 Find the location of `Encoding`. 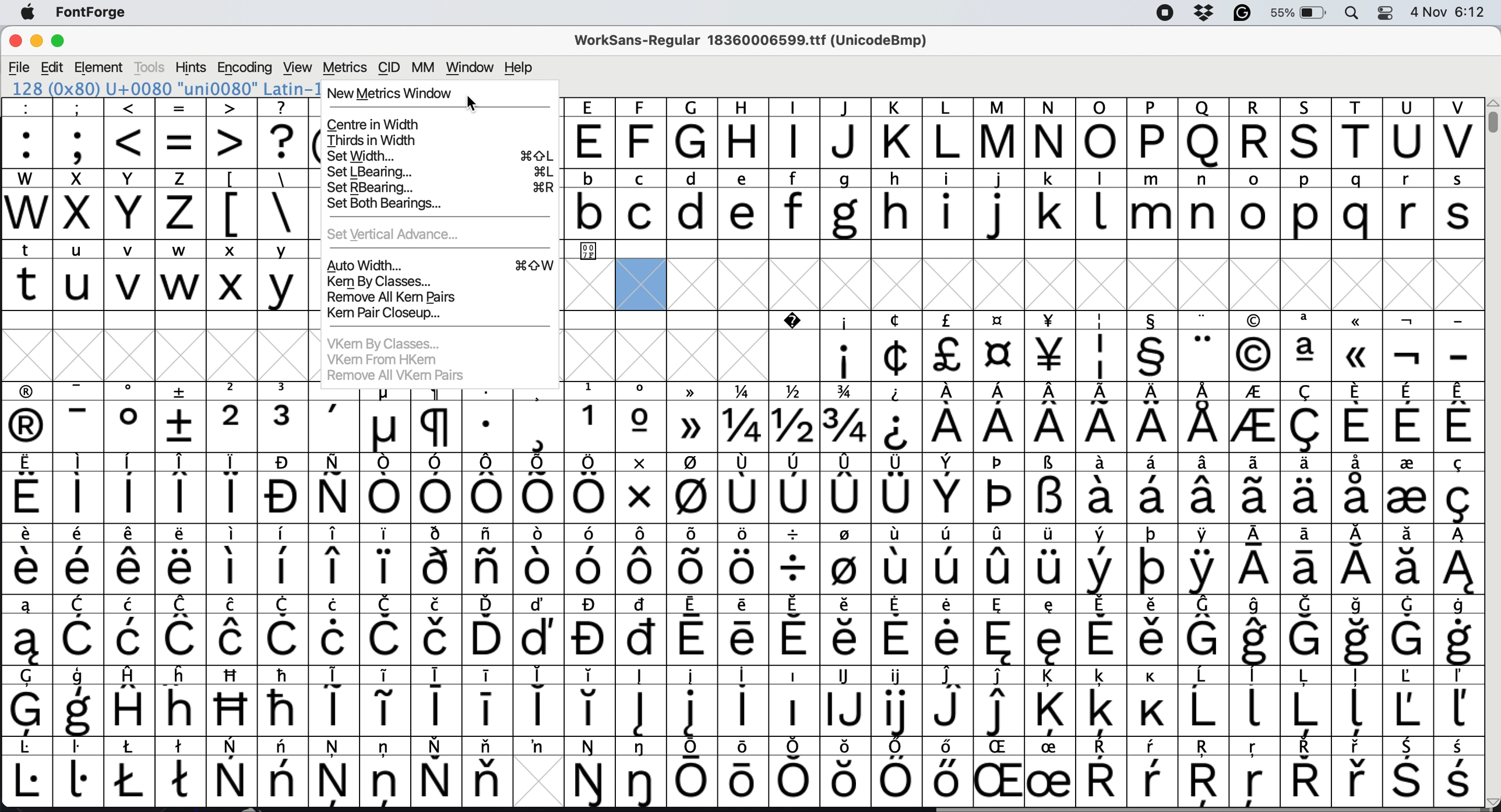

Encoding is located at coordinates (245, 68).